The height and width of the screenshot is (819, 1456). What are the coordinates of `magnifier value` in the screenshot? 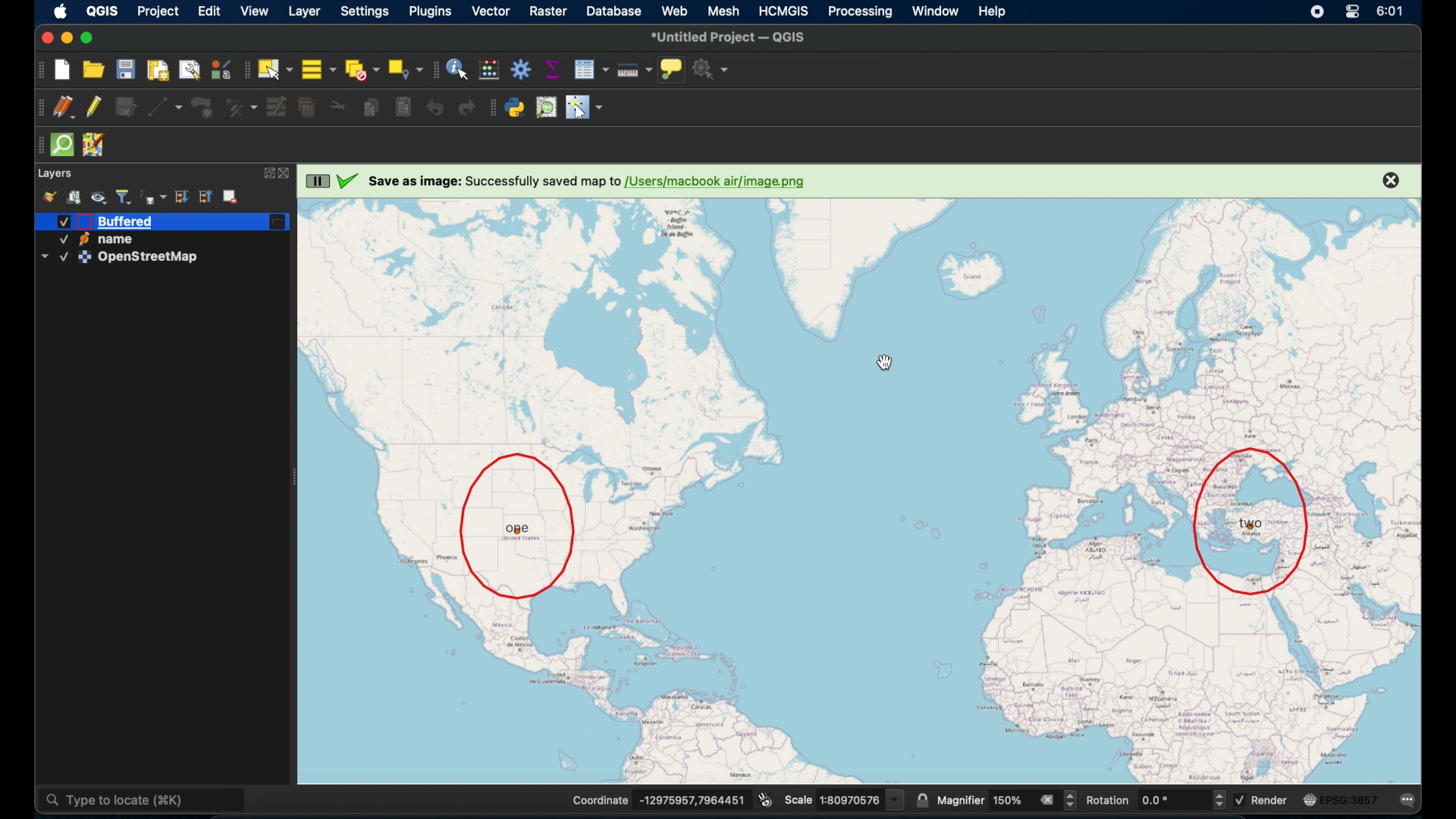 It's located at (1009, 799).